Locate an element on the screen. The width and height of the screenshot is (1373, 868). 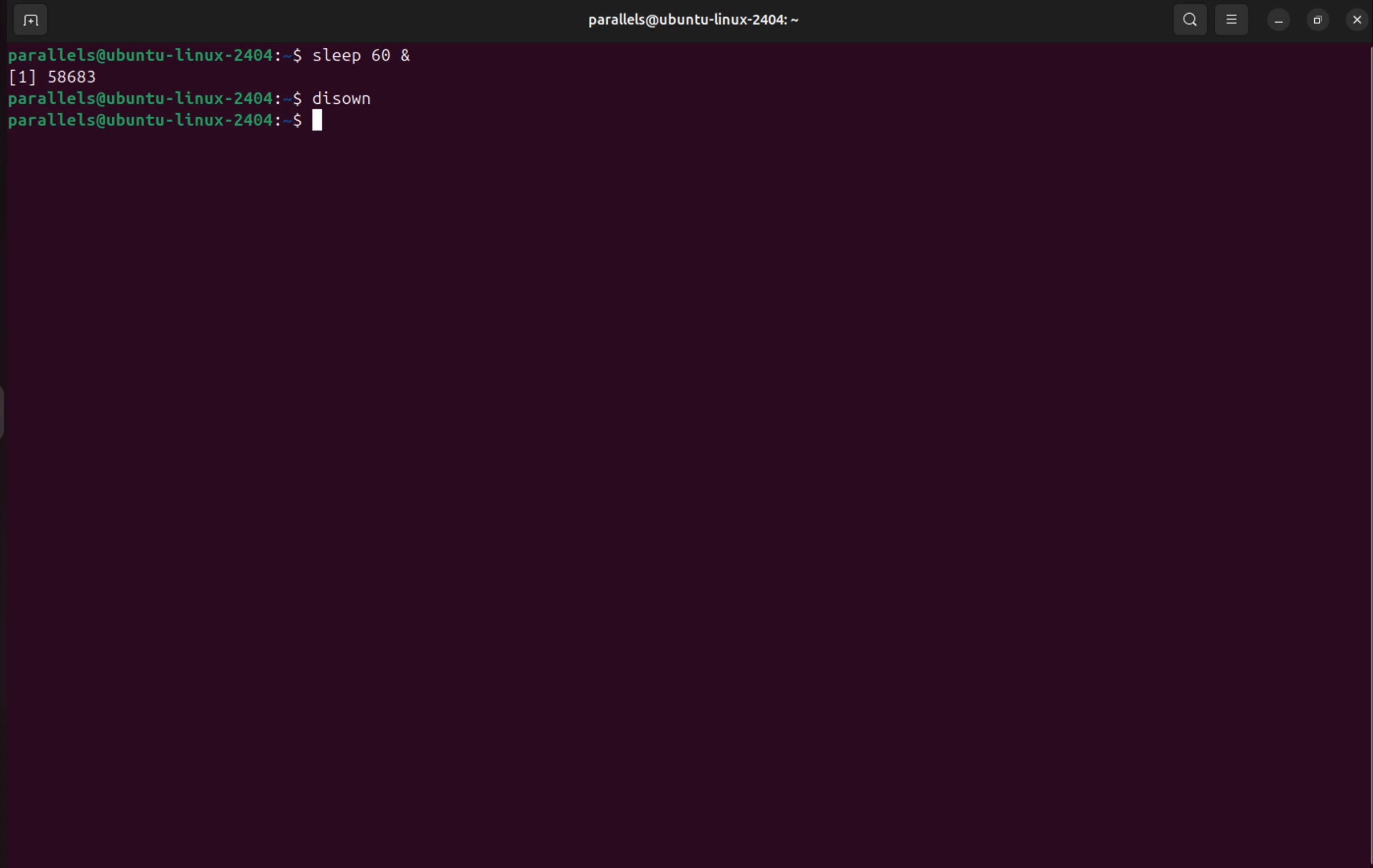
minimize is located at coordinates (1279, 21).